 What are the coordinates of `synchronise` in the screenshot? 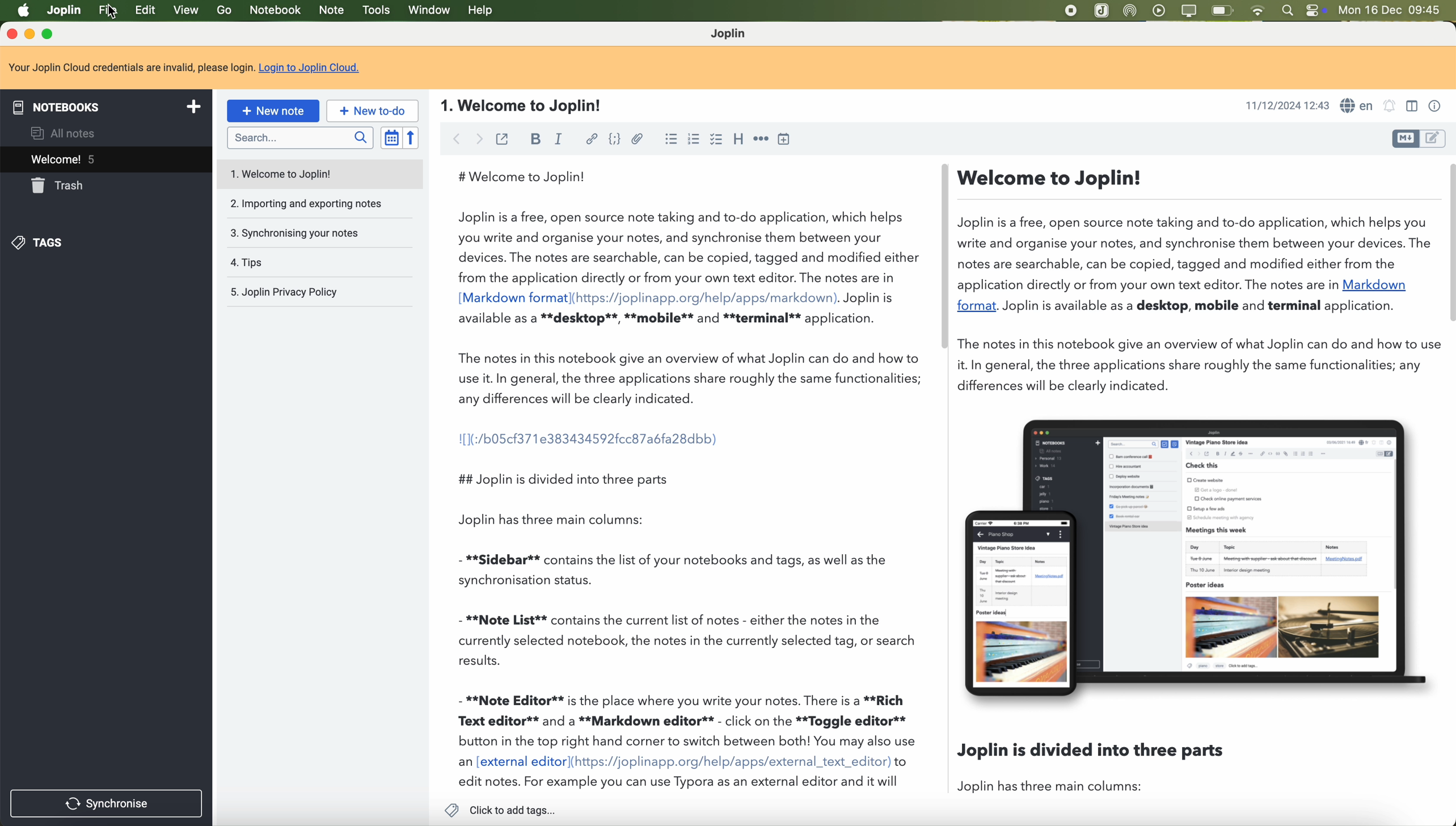 It's located at (107, 802).